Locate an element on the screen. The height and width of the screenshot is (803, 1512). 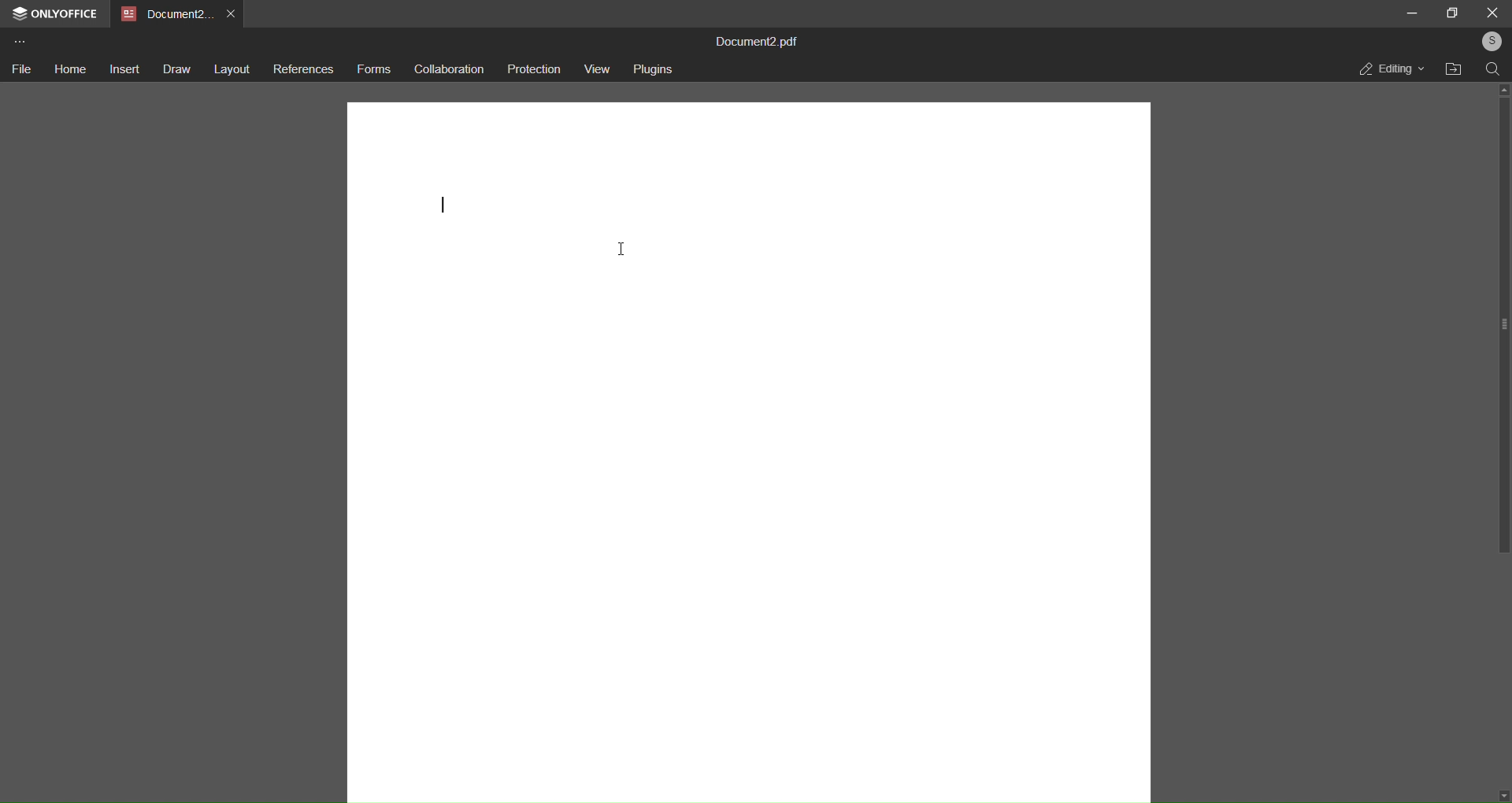
down is located at coordinates (1501, 792).